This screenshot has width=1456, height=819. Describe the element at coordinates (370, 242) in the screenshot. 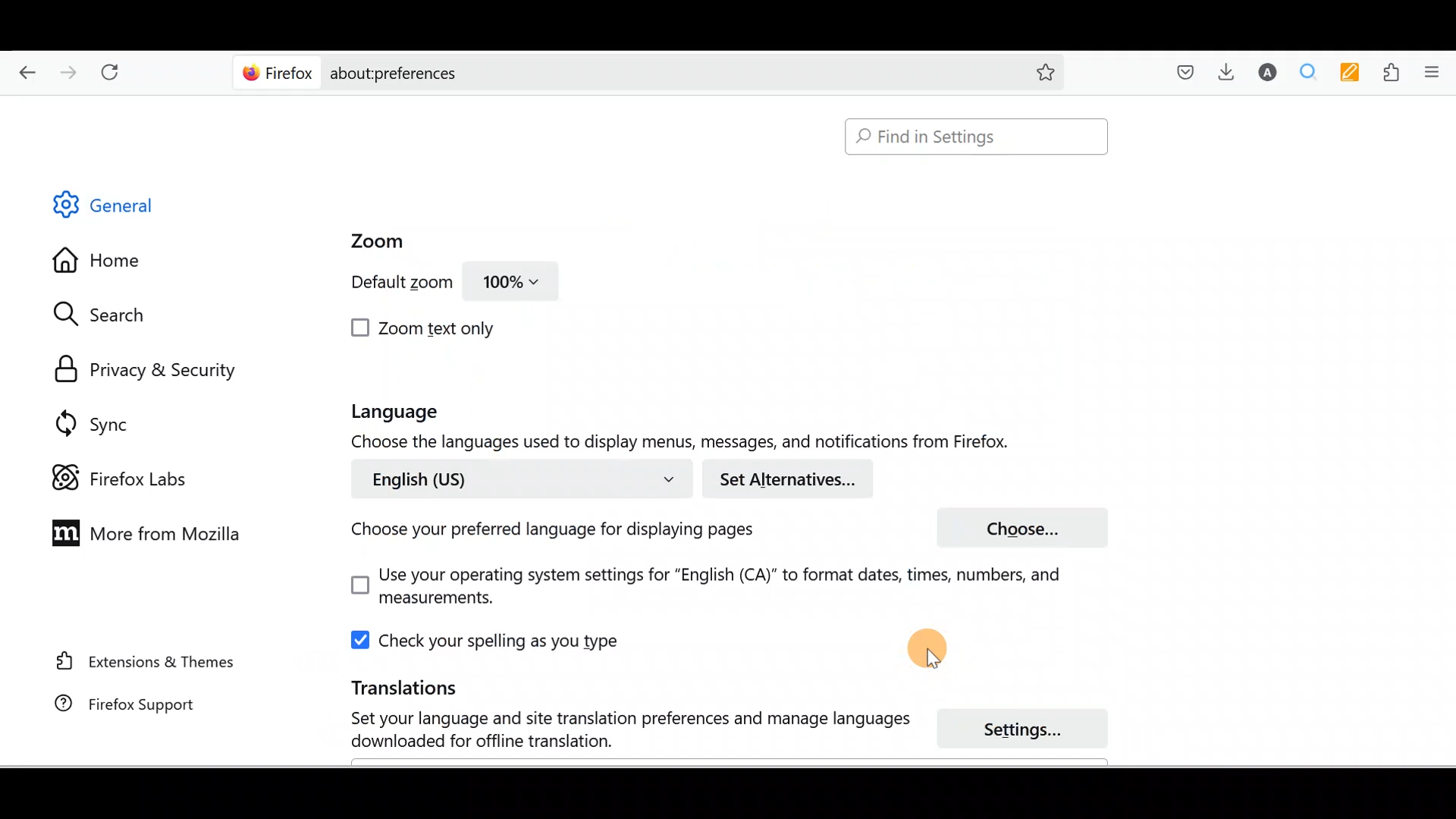

I see `Zoom` at that location.